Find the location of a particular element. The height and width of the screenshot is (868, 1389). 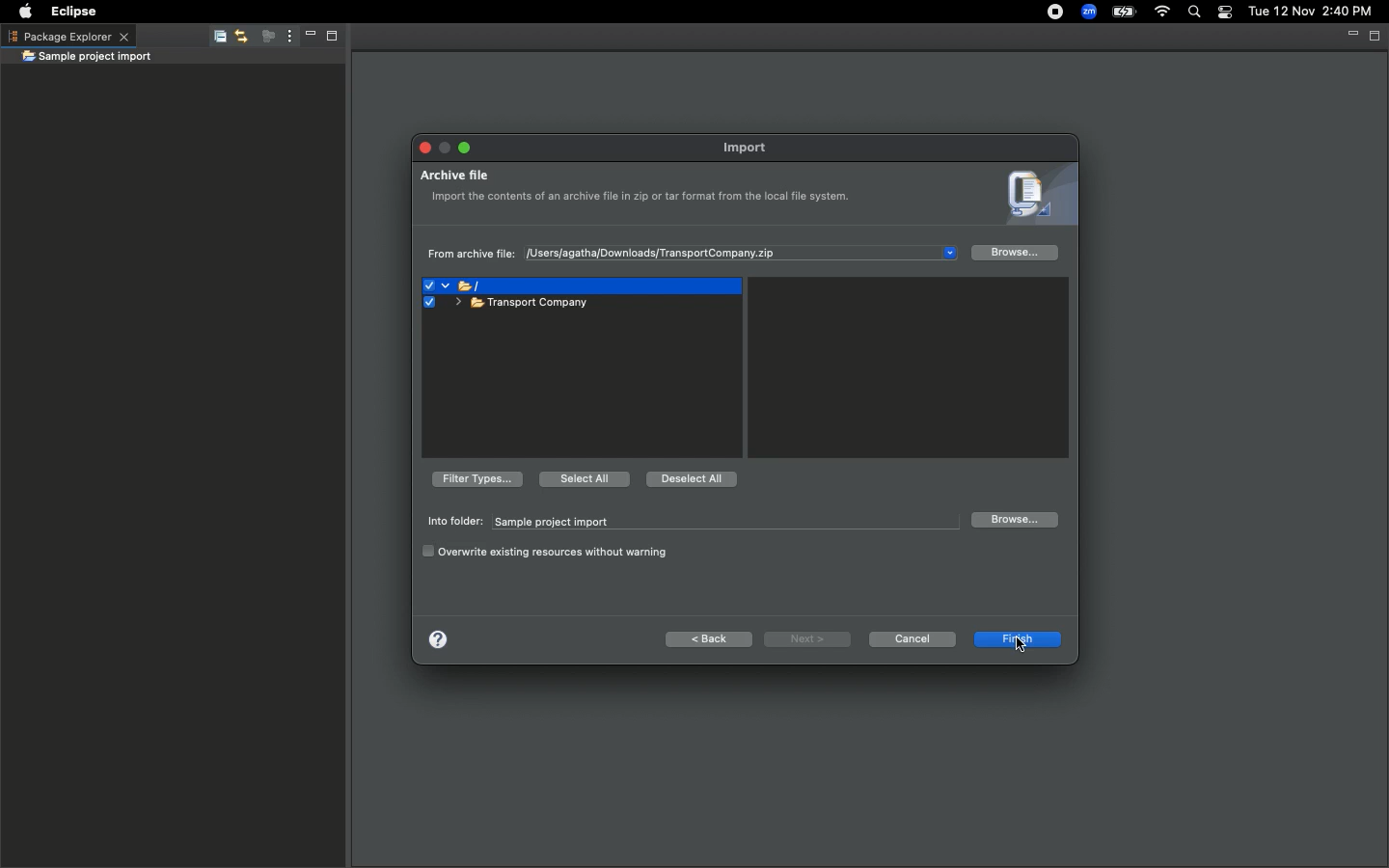

Cursor is located at coordinates (1023, 647).